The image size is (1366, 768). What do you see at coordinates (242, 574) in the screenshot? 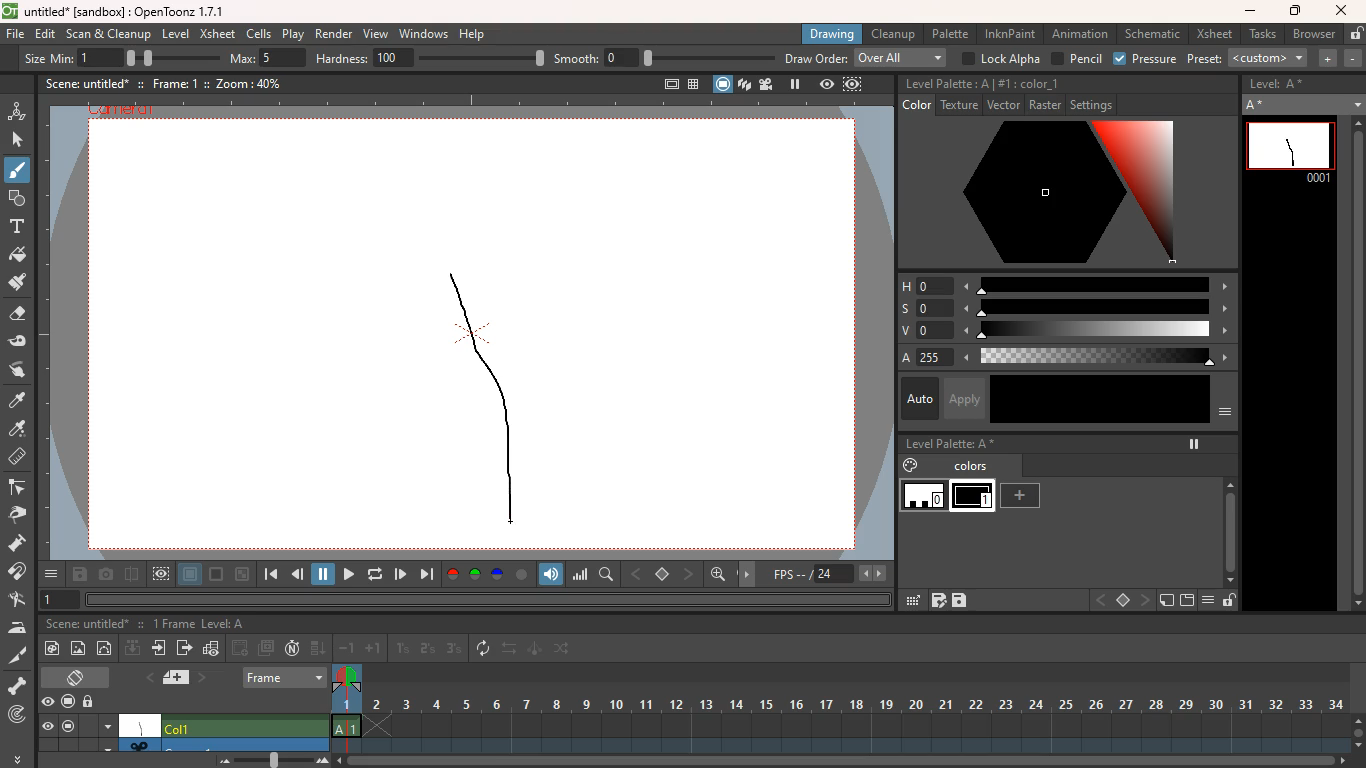
I see `minimize` at bounding box center [242, 574].